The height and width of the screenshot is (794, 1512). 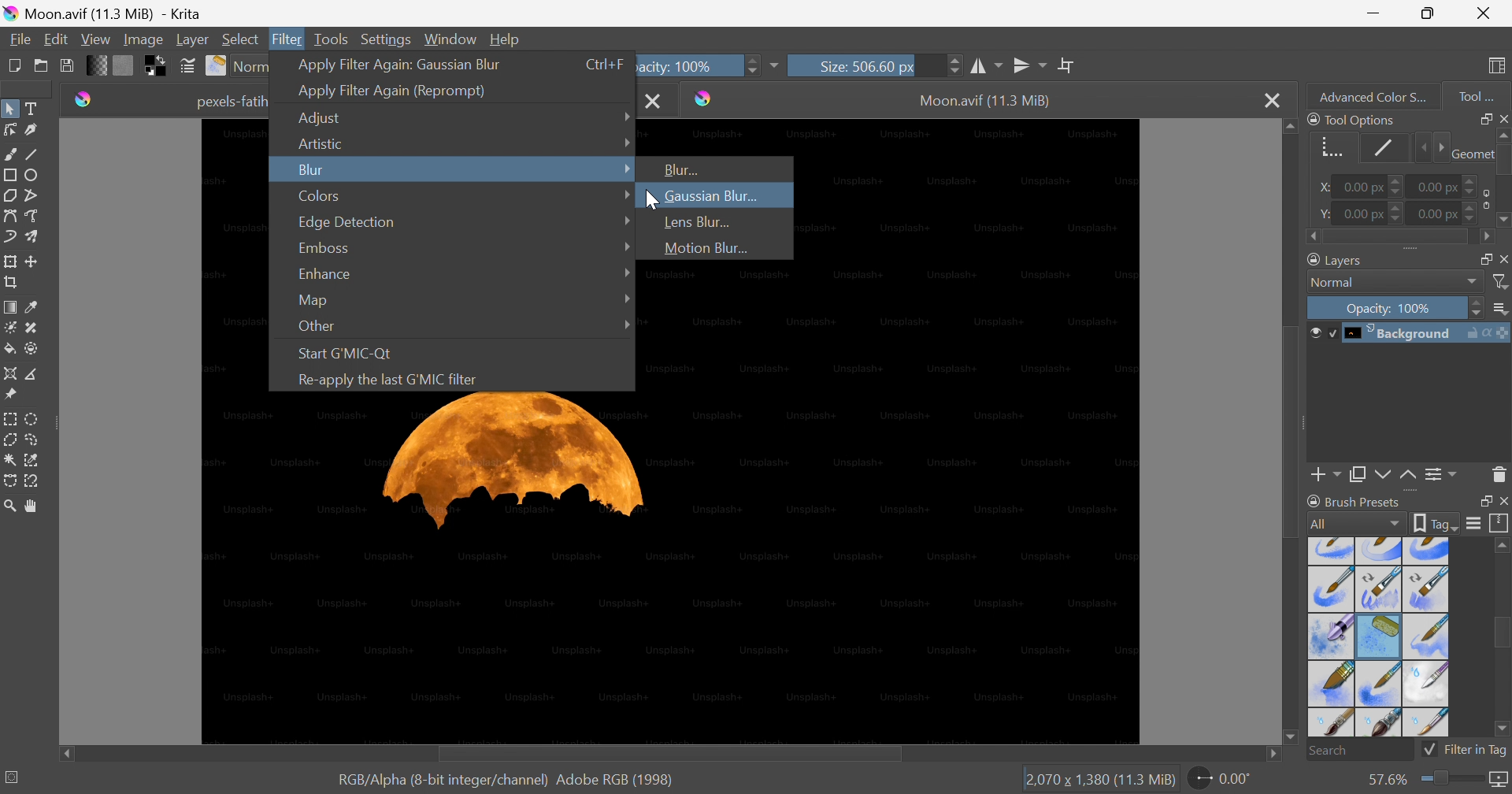 I want to click on Restore down, so click(x=1480, y=500).